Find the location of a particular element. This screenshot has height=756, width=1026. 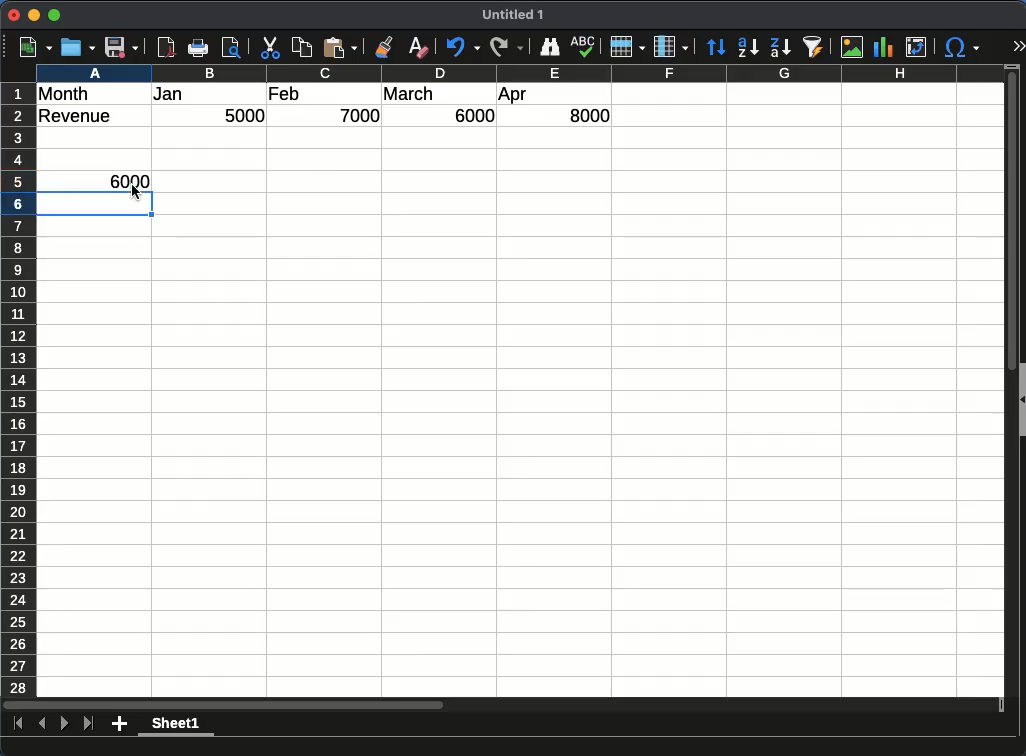

6000 is located at coordinates (471, 115).